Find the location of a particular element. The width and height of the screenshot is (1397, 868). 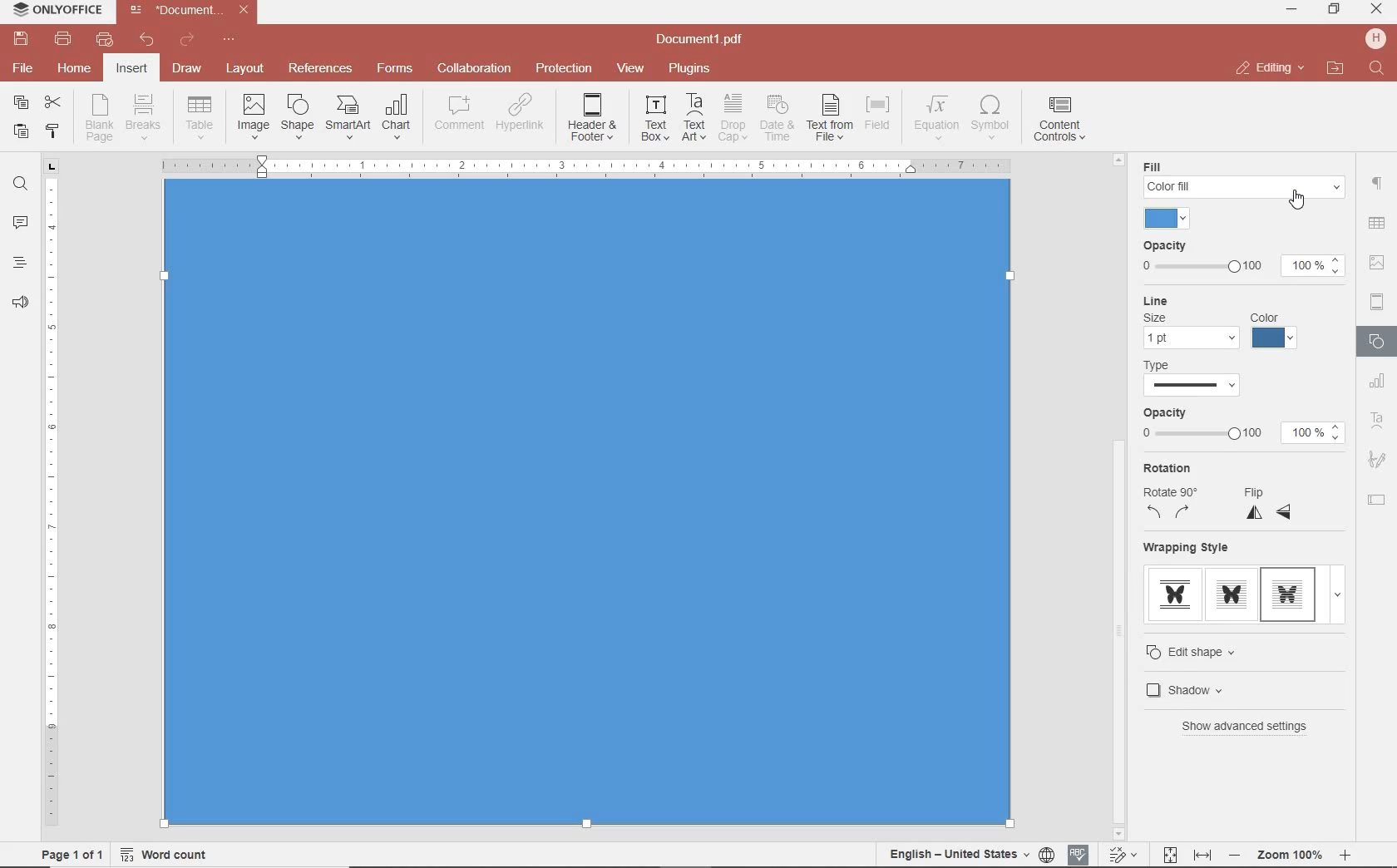

INSERT SMART ART is located at coordinates (348, 116).